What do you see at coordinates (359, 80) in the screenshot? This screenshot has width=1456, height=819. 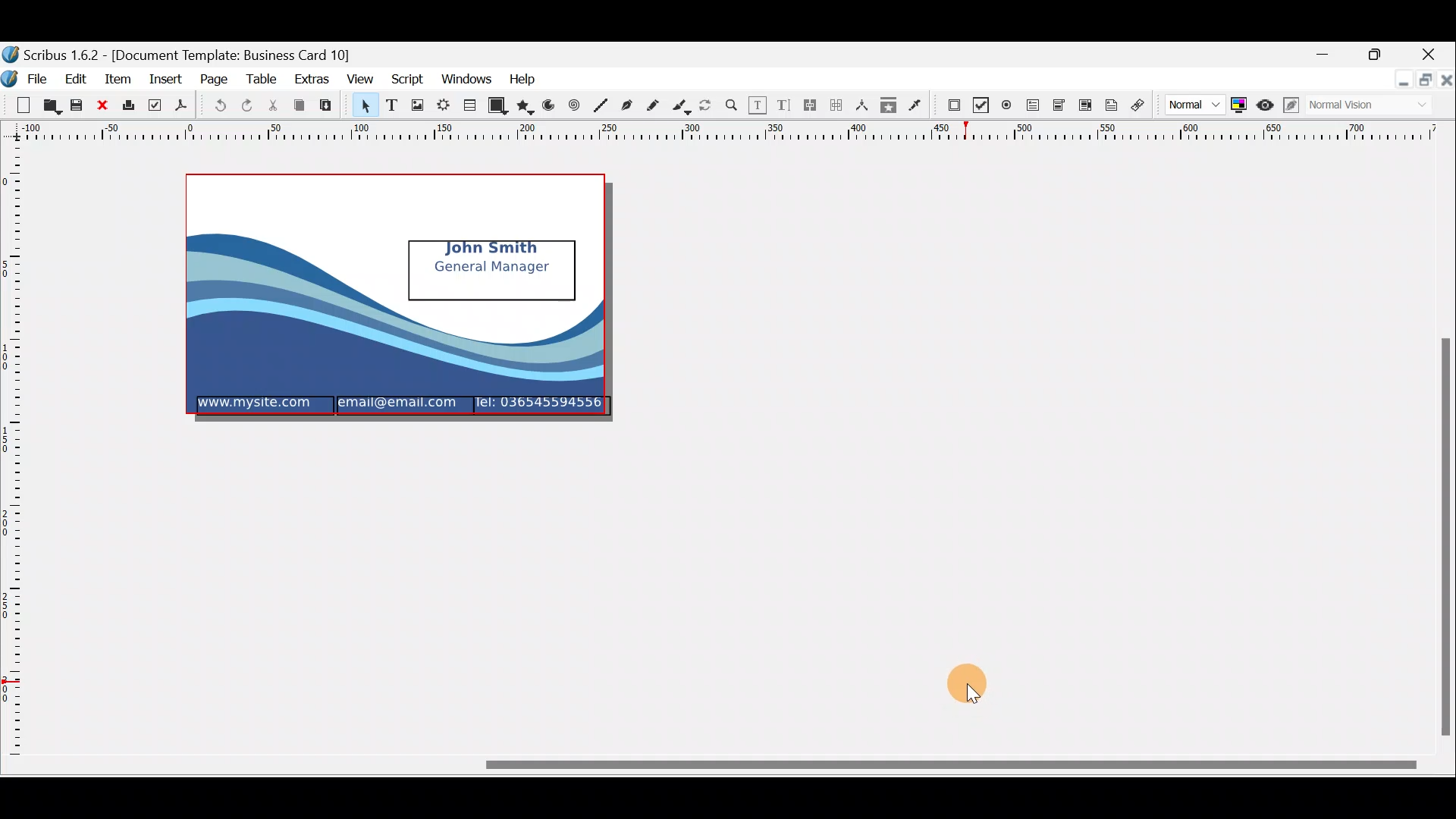 I see `View` at bounding box center [359, 80].